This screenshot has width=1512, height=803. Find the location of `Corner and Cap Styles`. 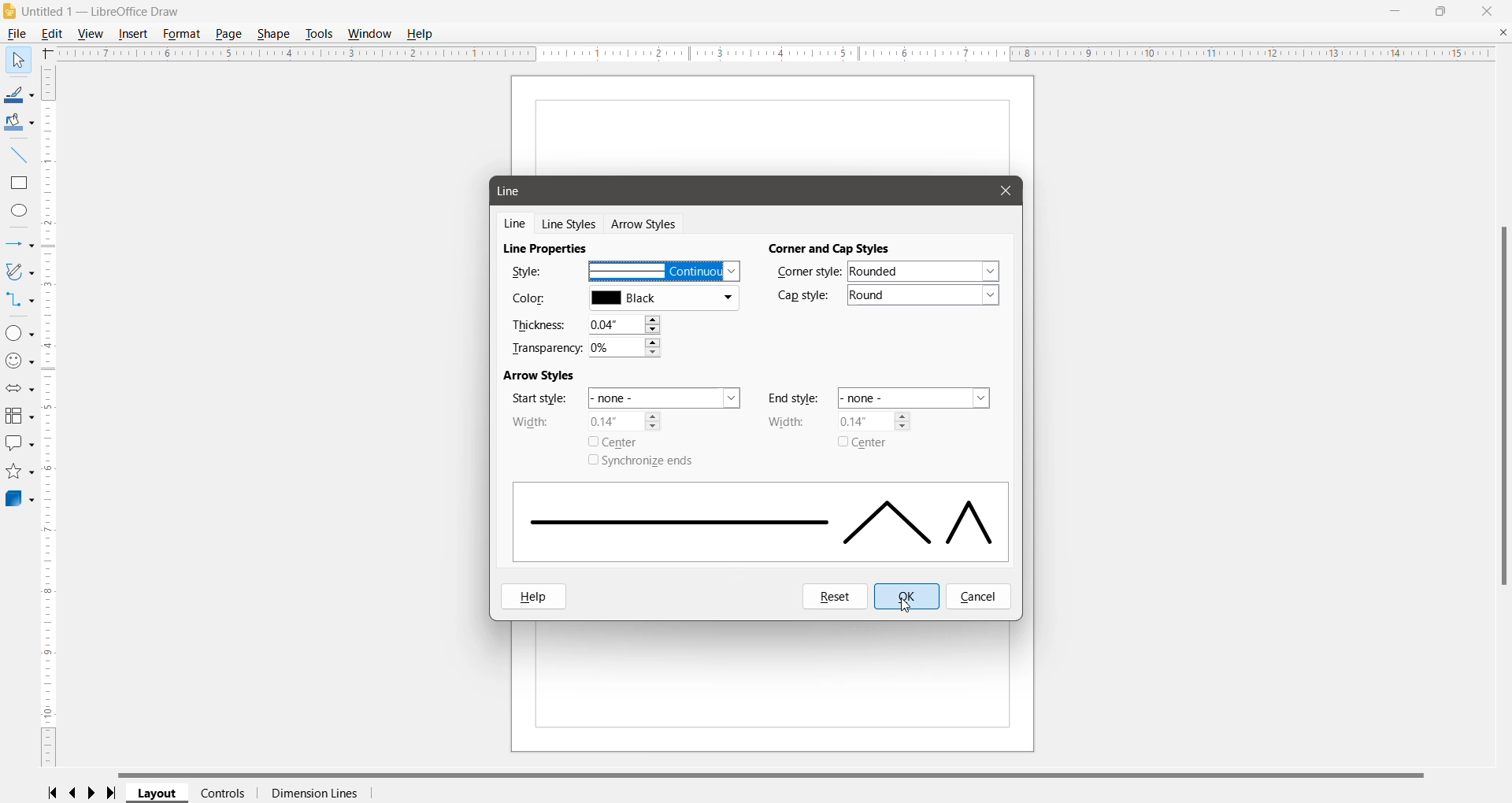

Corner and Cap Styles is located at coordinates (830, 248).